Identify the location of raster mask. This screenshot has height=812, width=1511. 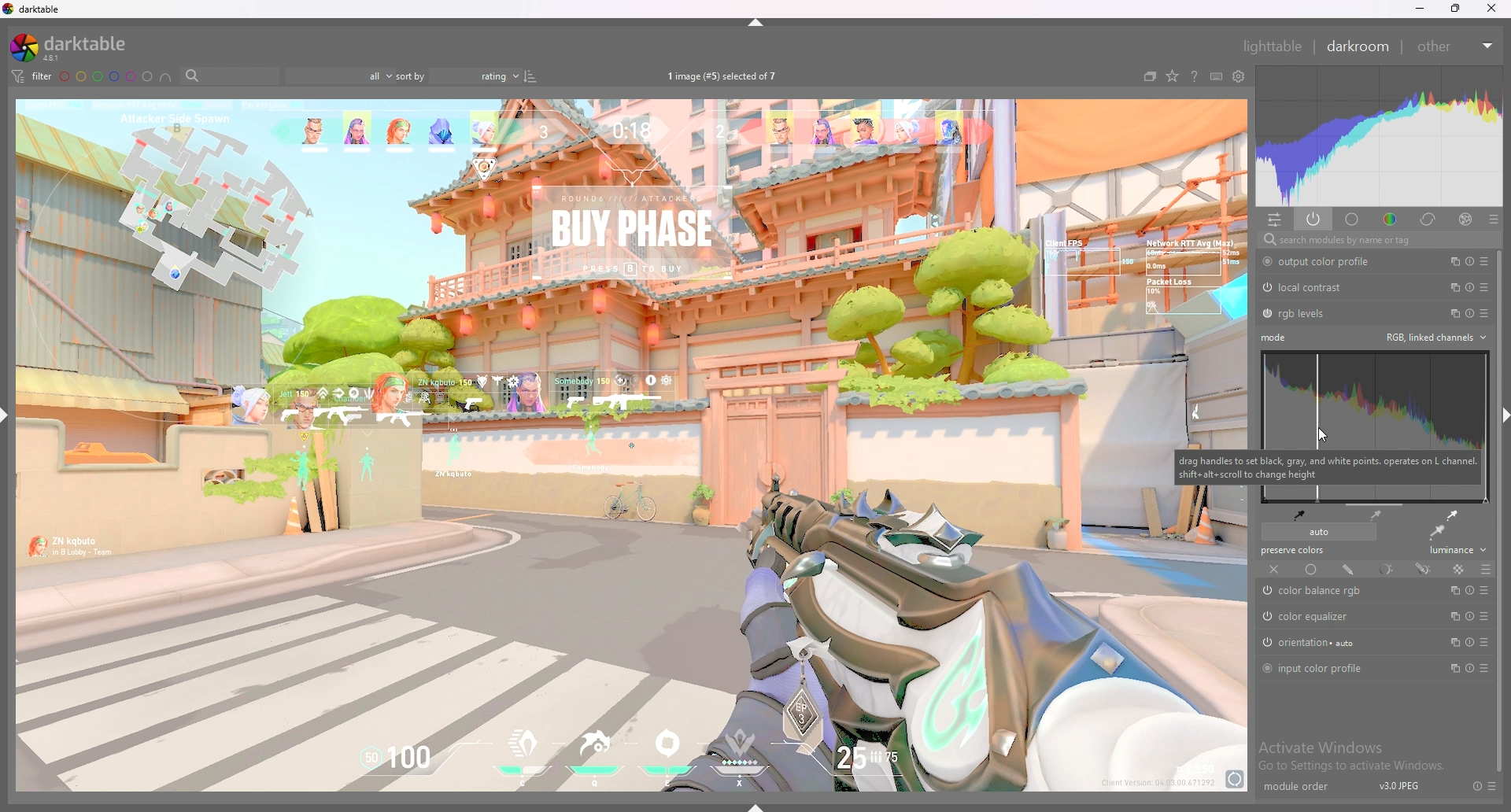
(1457, 569).